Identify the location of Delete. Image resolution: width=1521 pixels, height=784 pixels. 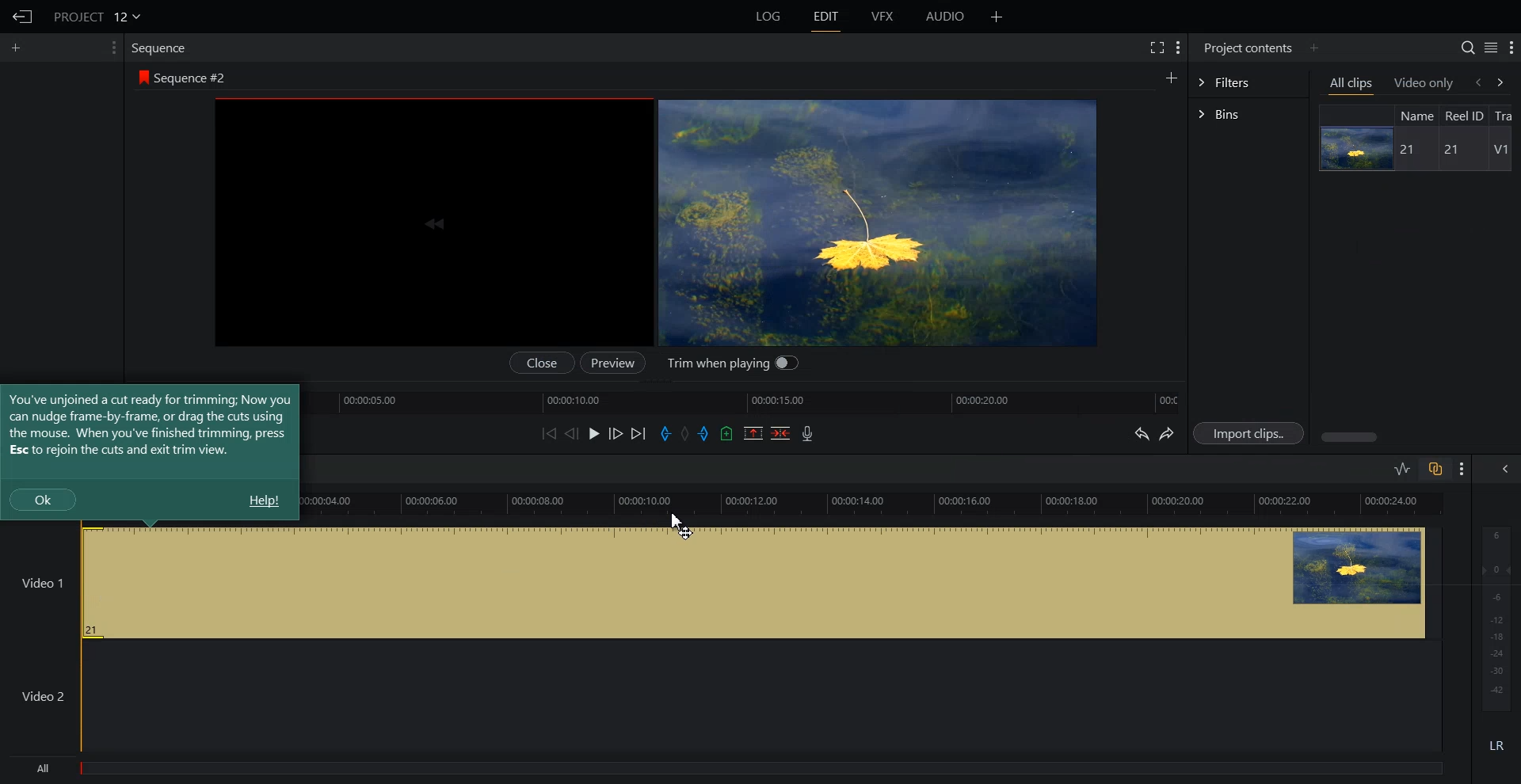
(780, 432).